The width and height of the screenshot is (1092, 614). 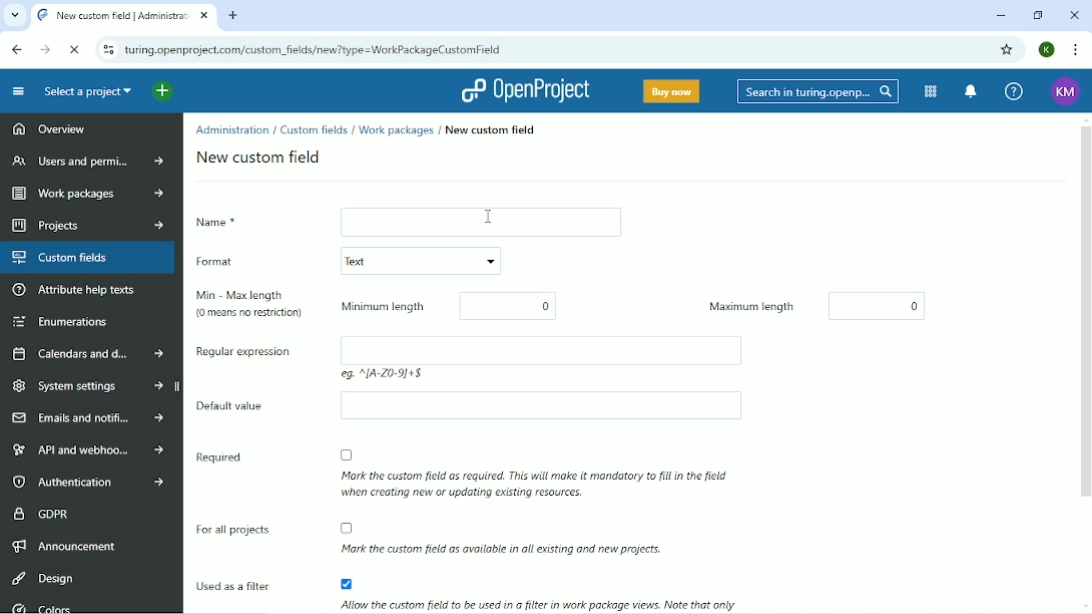 What do you see at coordinates (85, 225) in the screenshot?
I see `Projects` at bounding box center [85, 225].